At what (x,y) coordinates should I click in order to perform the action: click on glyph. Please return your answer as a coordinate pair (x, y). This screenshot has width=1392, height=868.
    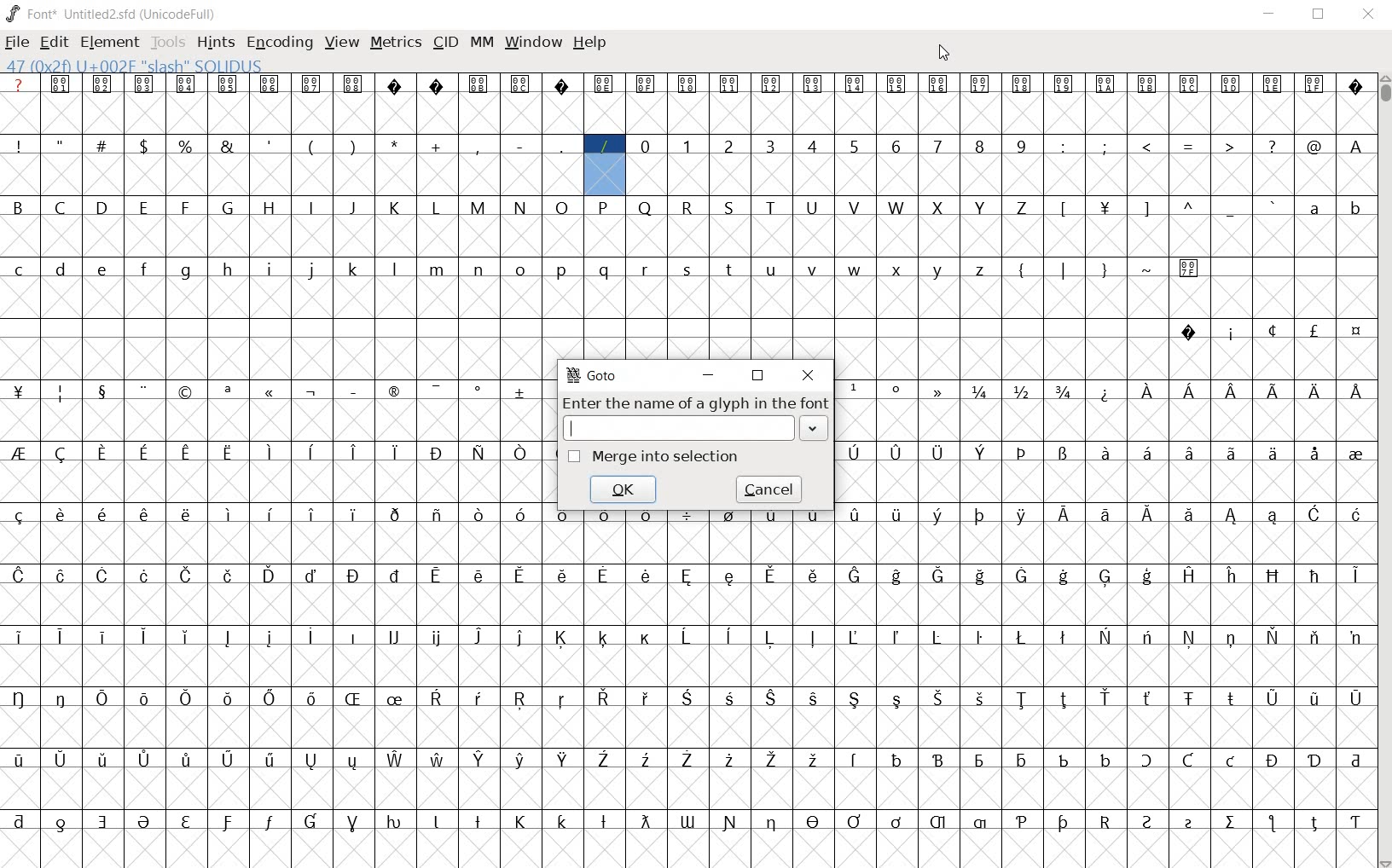
    Looking at the image, I should click on (688, 270).